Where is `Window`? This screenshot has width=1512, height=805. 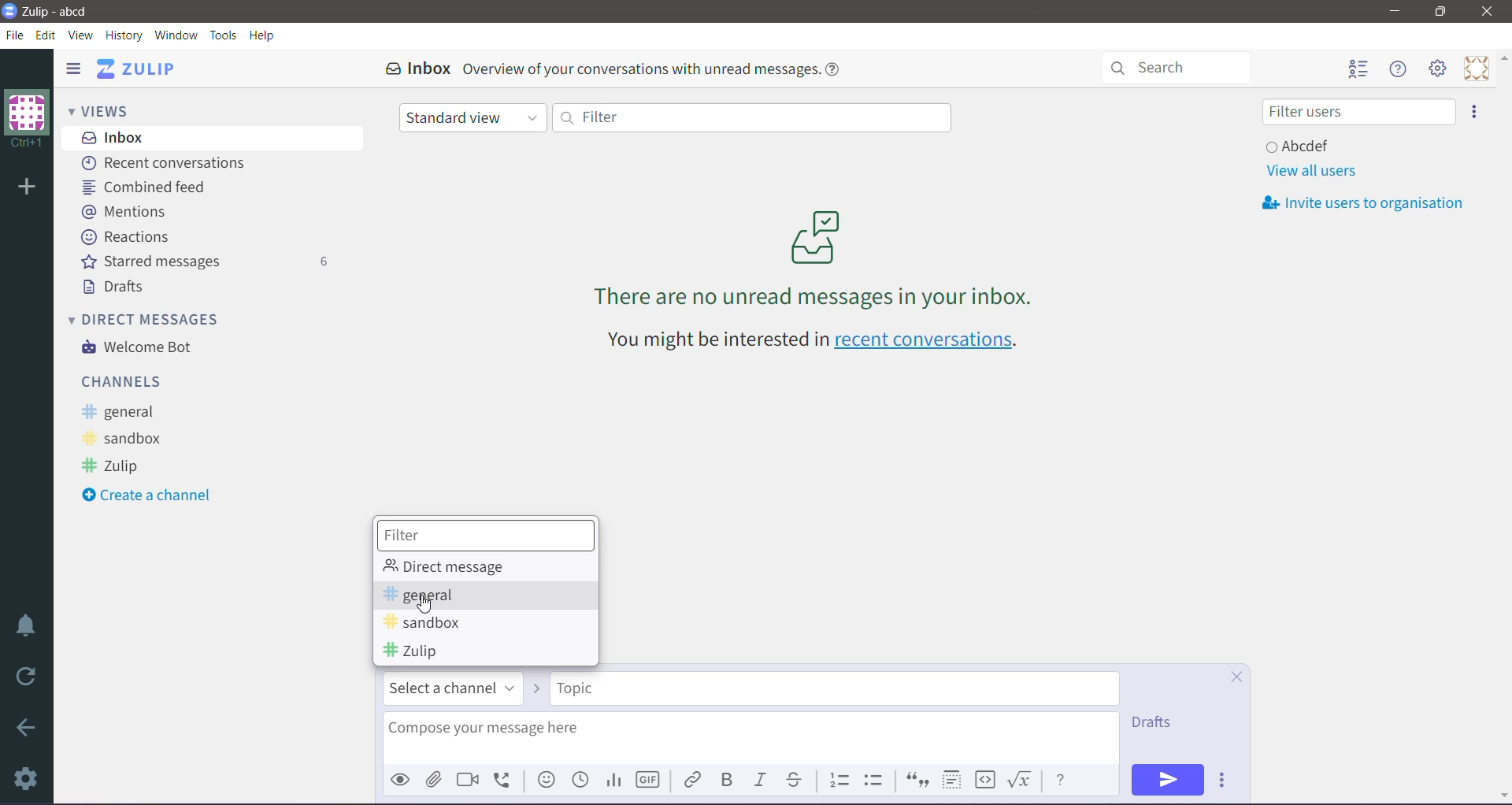 Window is located at coordinates (176, 35).